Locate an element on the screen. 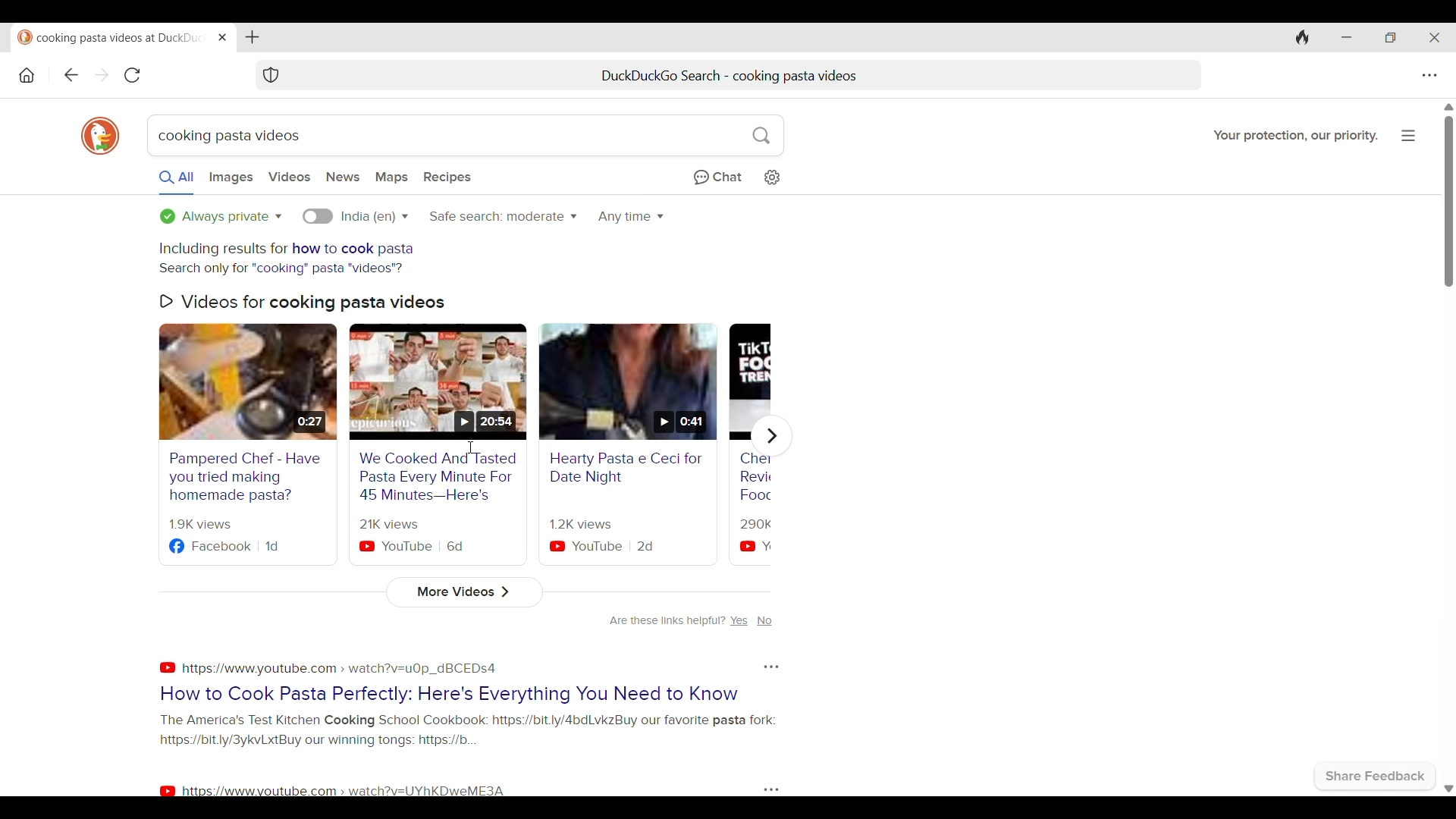 This screenshot has width=1456, height=819. Close tab is located at coordinates (221, 36).